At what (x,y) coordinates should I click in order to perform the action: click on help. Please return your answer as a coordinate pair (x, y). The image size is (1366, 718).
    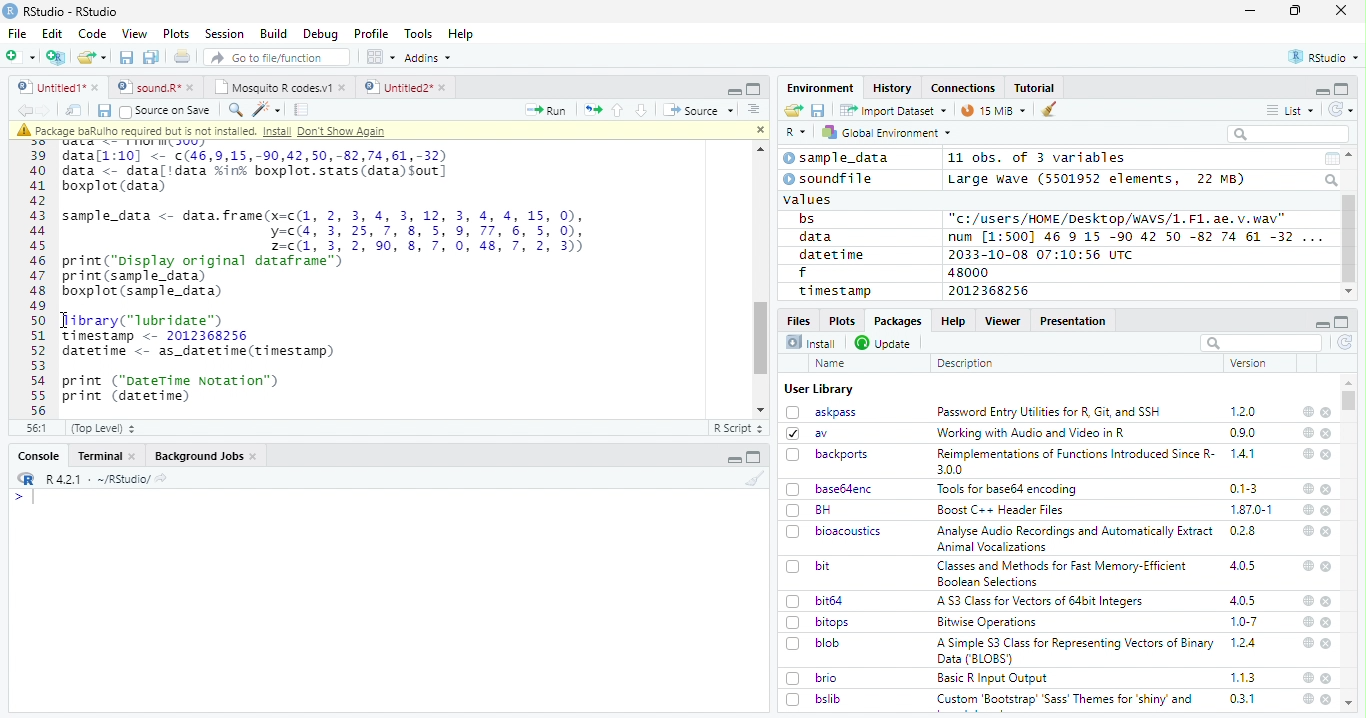
    Looking at the image, I should click on (1307, 699).